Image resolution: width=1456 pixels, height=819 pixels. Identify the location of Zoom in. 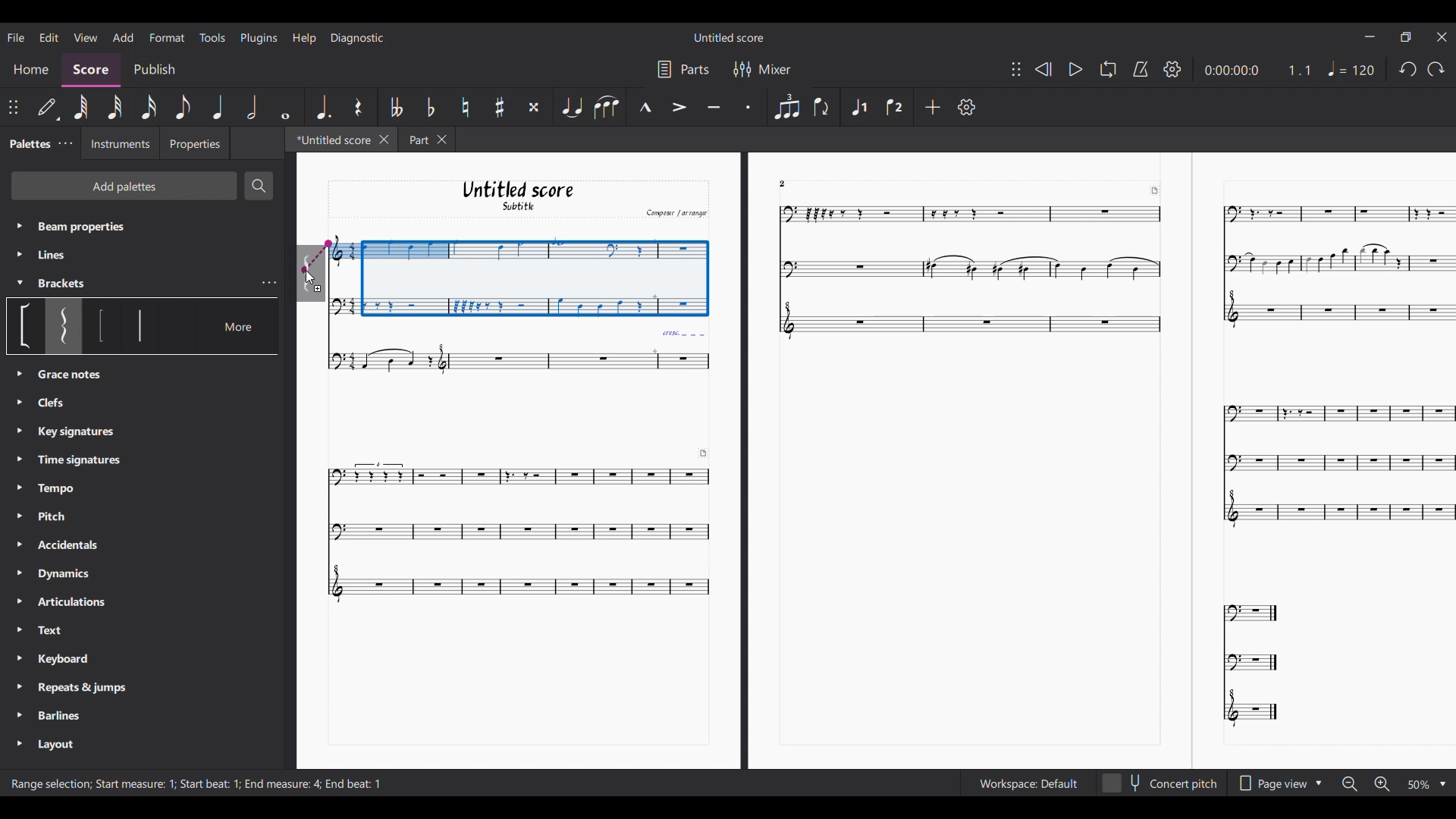
(1381, 784).